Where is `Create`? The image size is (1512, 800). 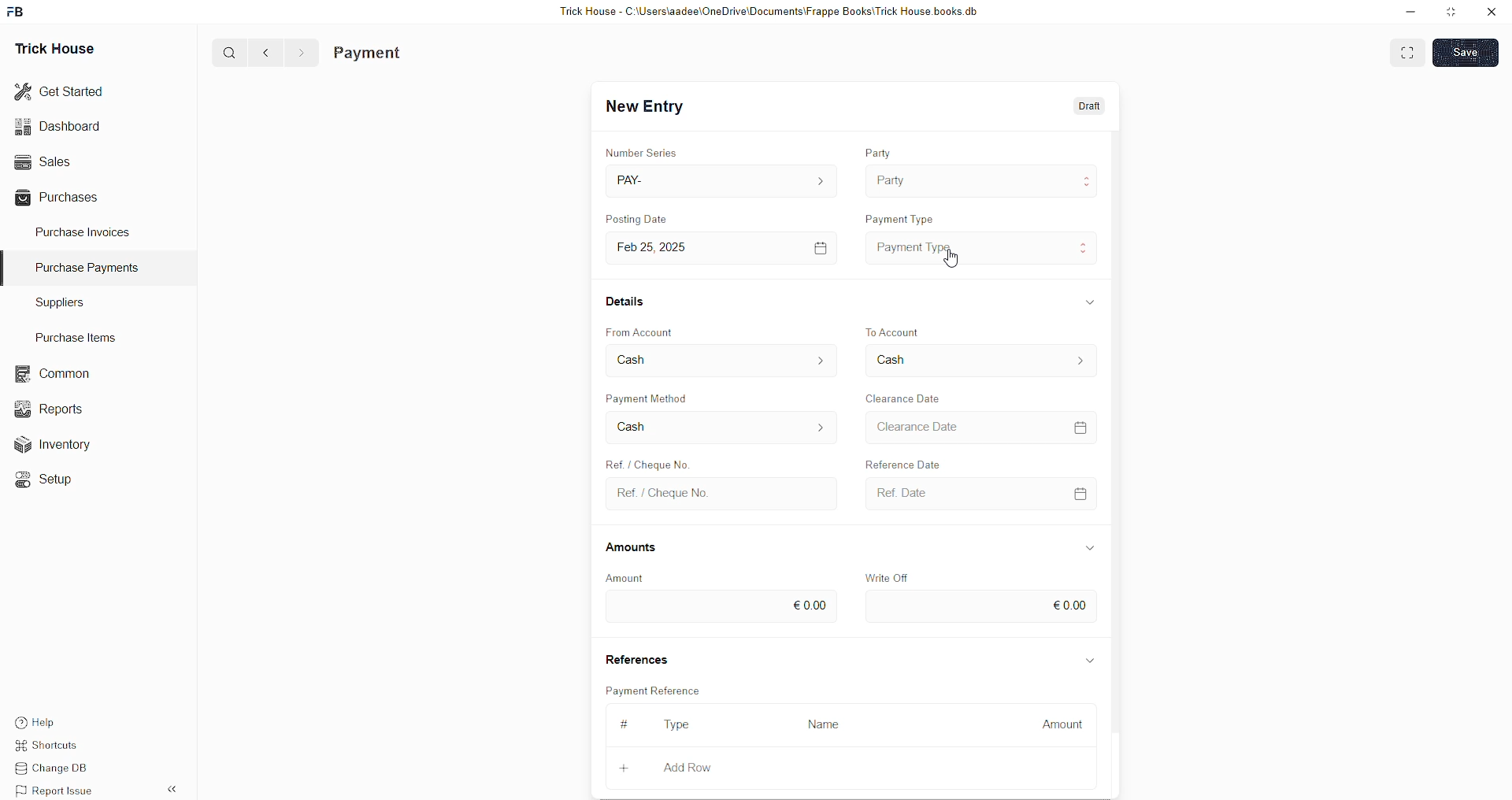
Create is located at coordinates (645, 461).